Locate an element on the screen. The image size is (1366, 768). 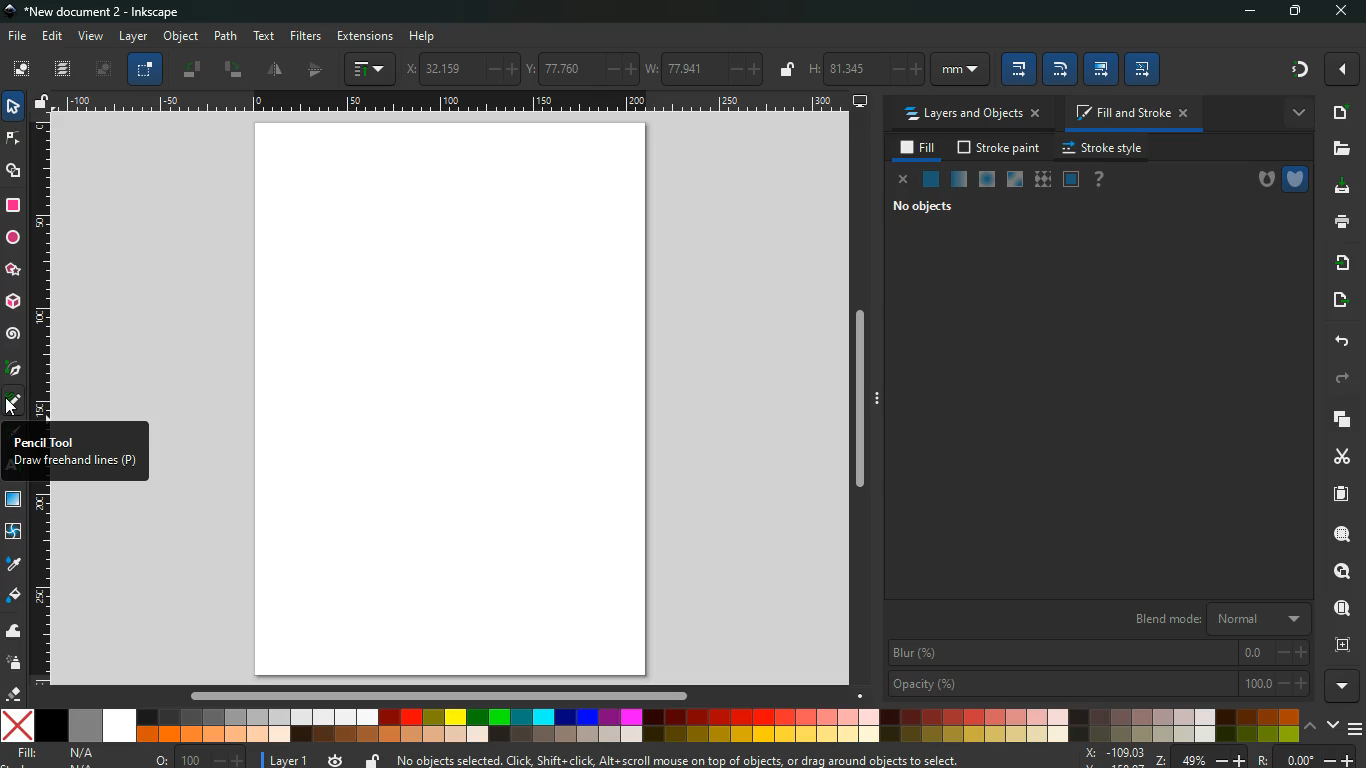
menu is located at coordinates (1356, 730).